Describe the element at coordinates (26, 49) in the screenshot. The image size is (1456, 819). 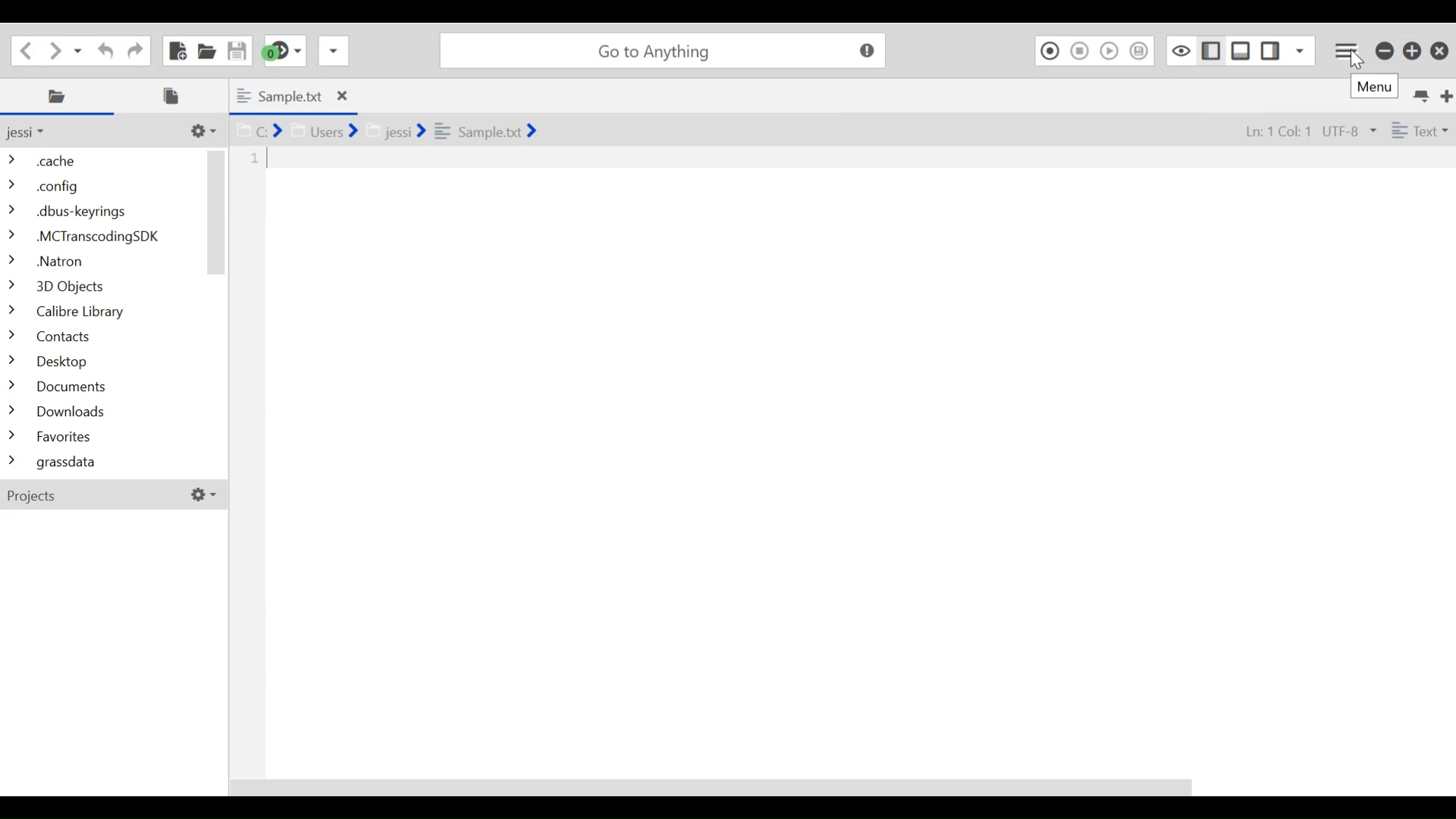
I see `Go back one location` at that location.